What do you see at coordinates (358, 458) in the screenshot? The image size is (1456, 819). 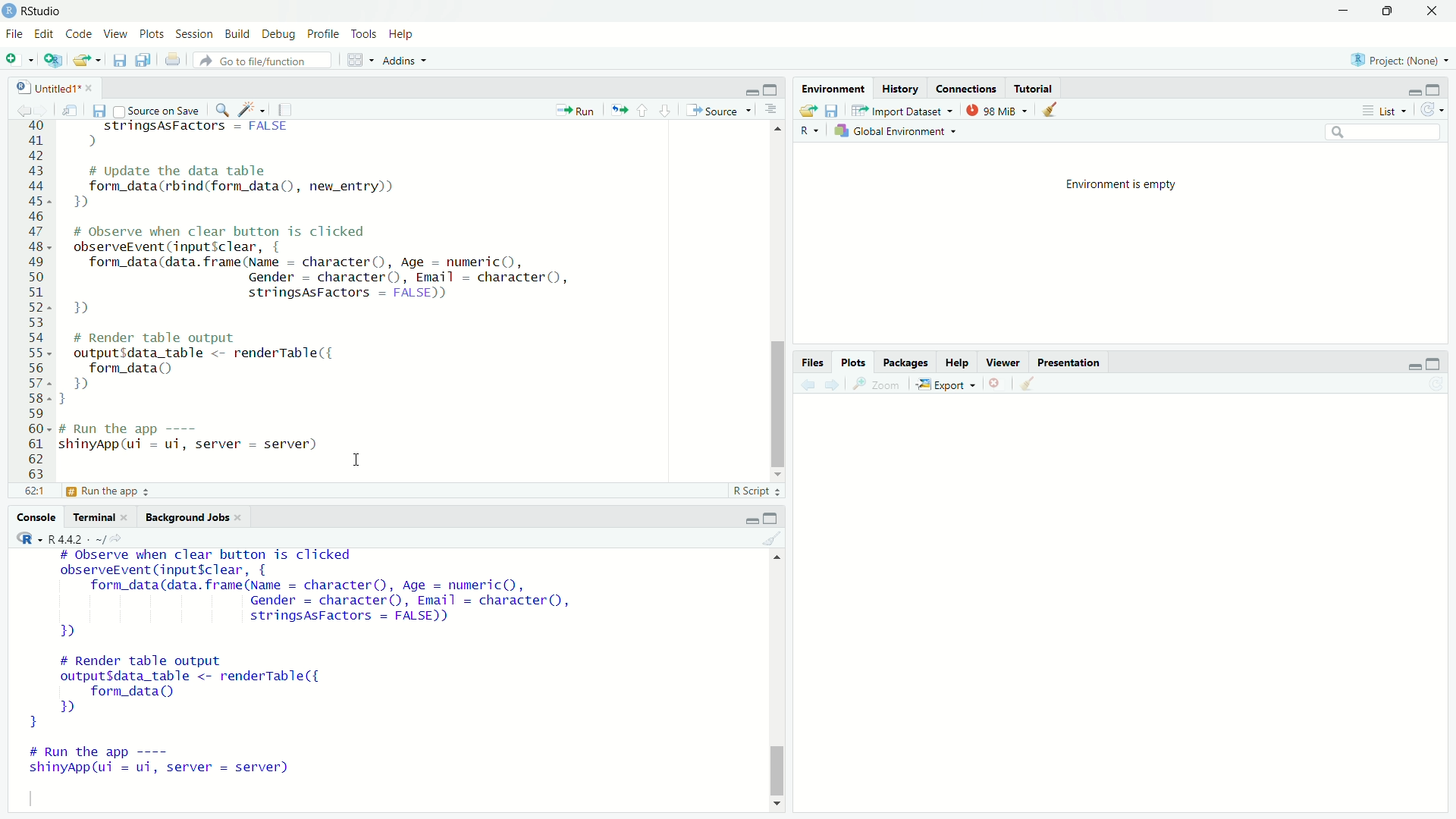 I see `cursor` at bounding box center [358, 458].